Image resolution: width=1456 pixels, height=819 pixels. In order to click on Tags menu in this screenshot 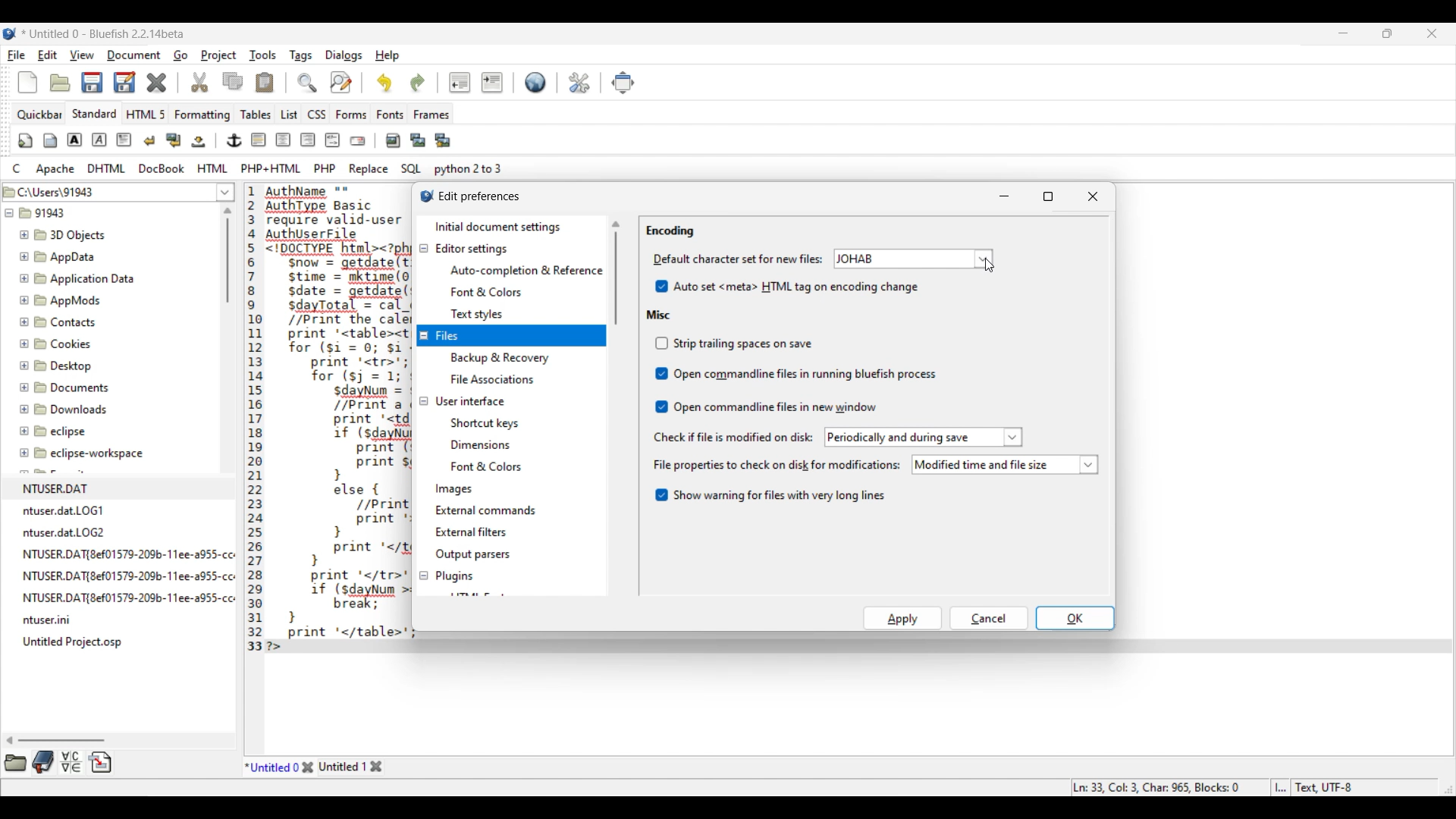, I will do `click(300, 56)`.